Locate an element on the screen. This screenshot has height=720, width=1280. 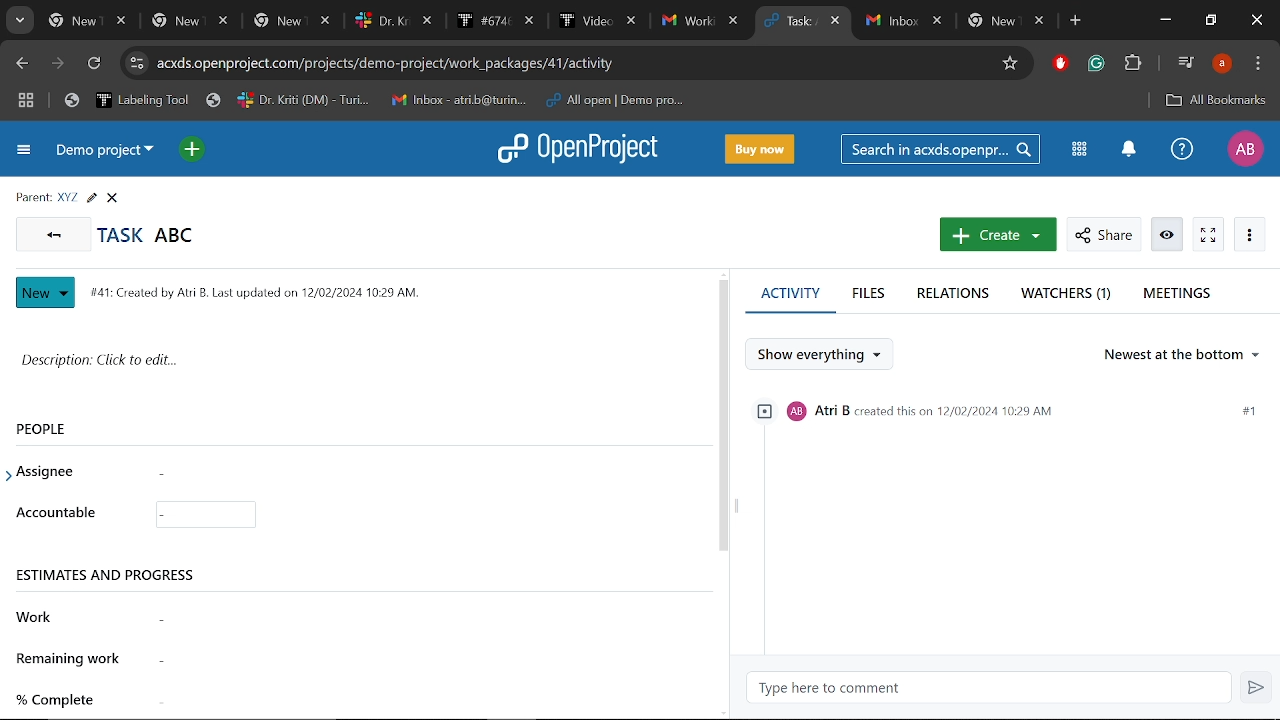
Send is located at coordinates (1256, 688).